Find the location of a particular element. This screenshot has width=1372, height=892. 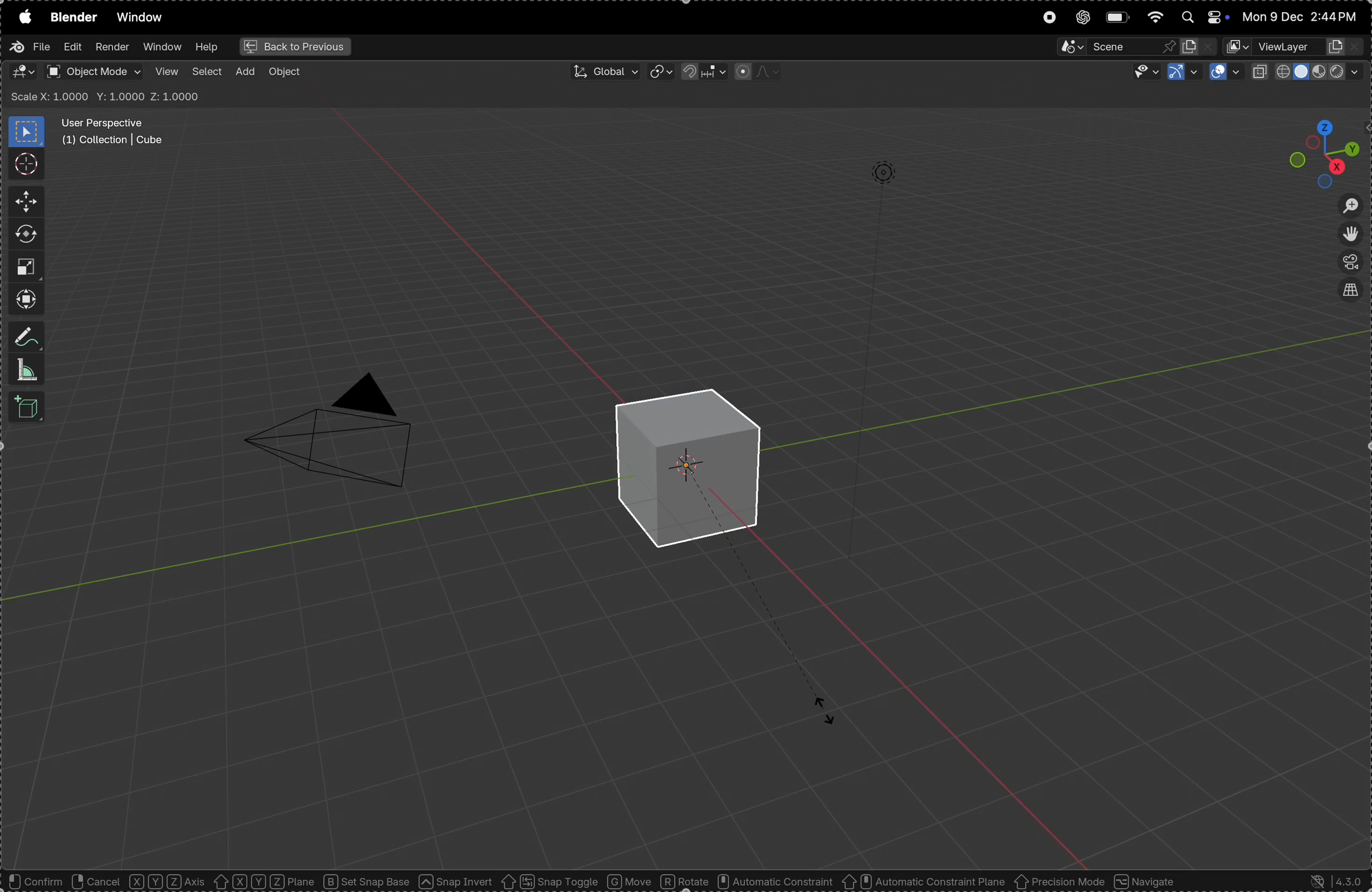

camera is located at coordinates (345, 437).